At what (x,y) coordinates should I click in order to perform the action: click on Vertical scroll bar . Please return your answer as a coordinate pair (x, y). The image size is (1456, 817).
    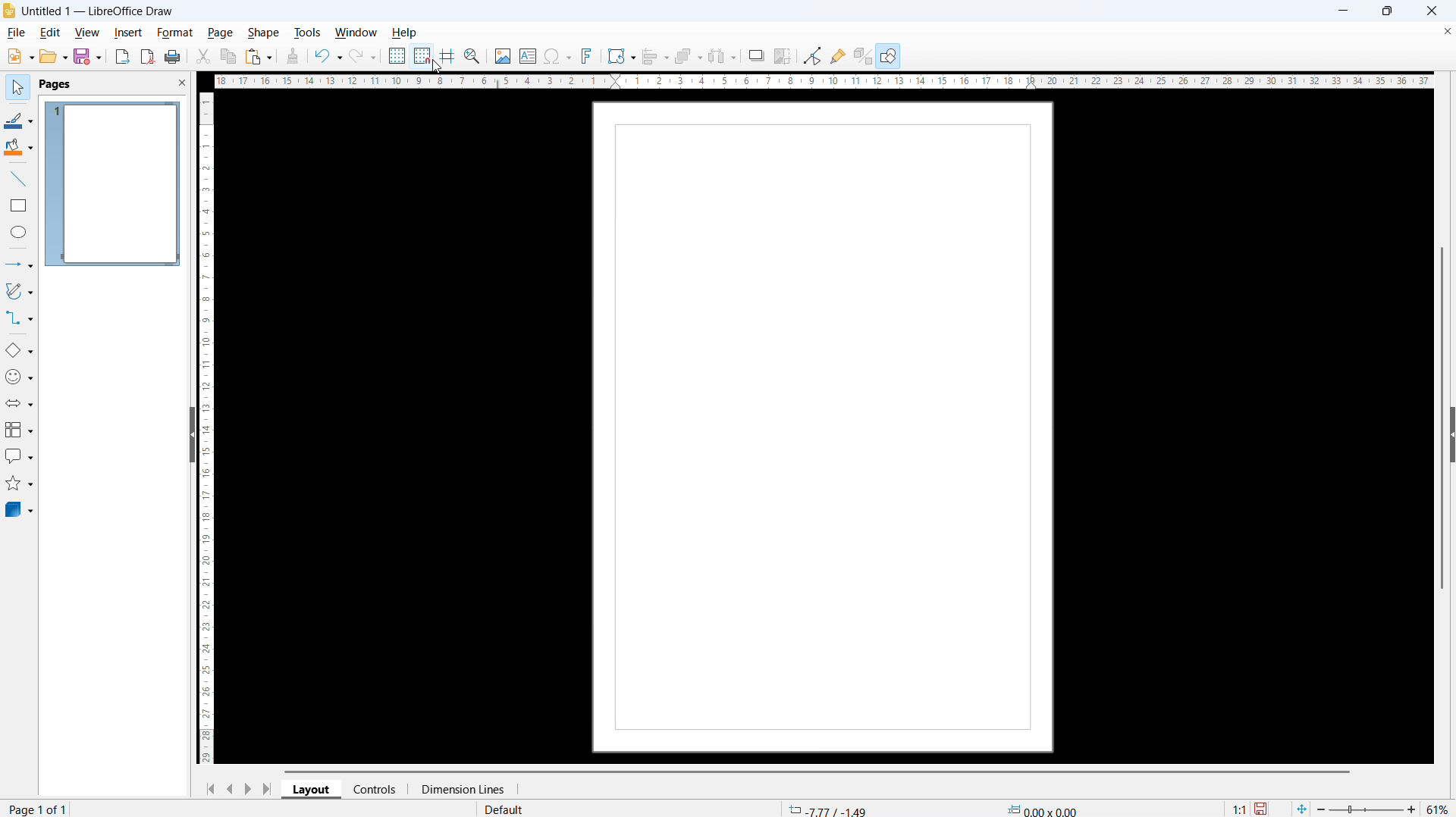
    Looking at the image, I should click on (1442, 418).